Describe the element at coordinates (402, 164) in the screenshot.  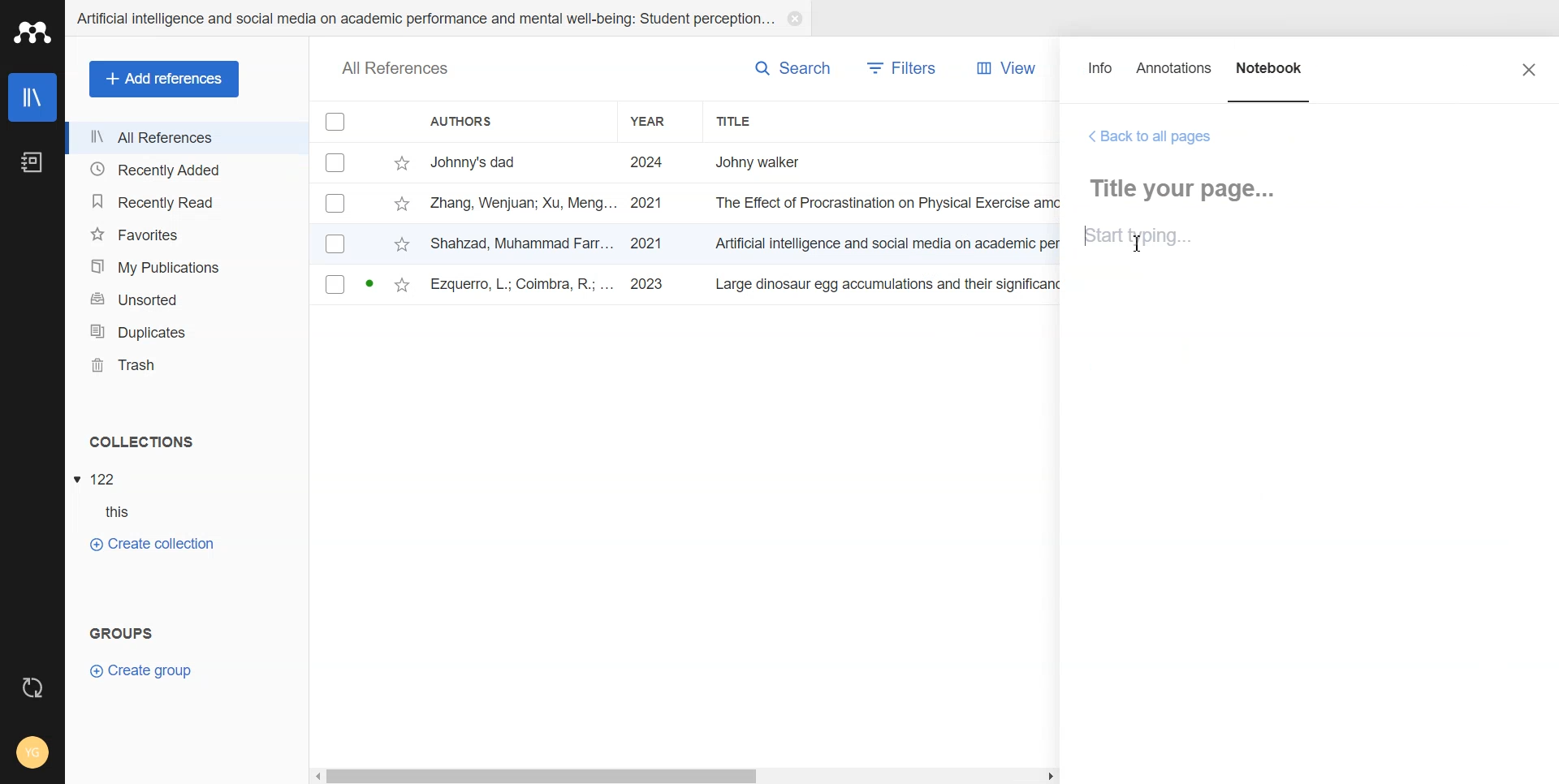
I see `star` at that location.